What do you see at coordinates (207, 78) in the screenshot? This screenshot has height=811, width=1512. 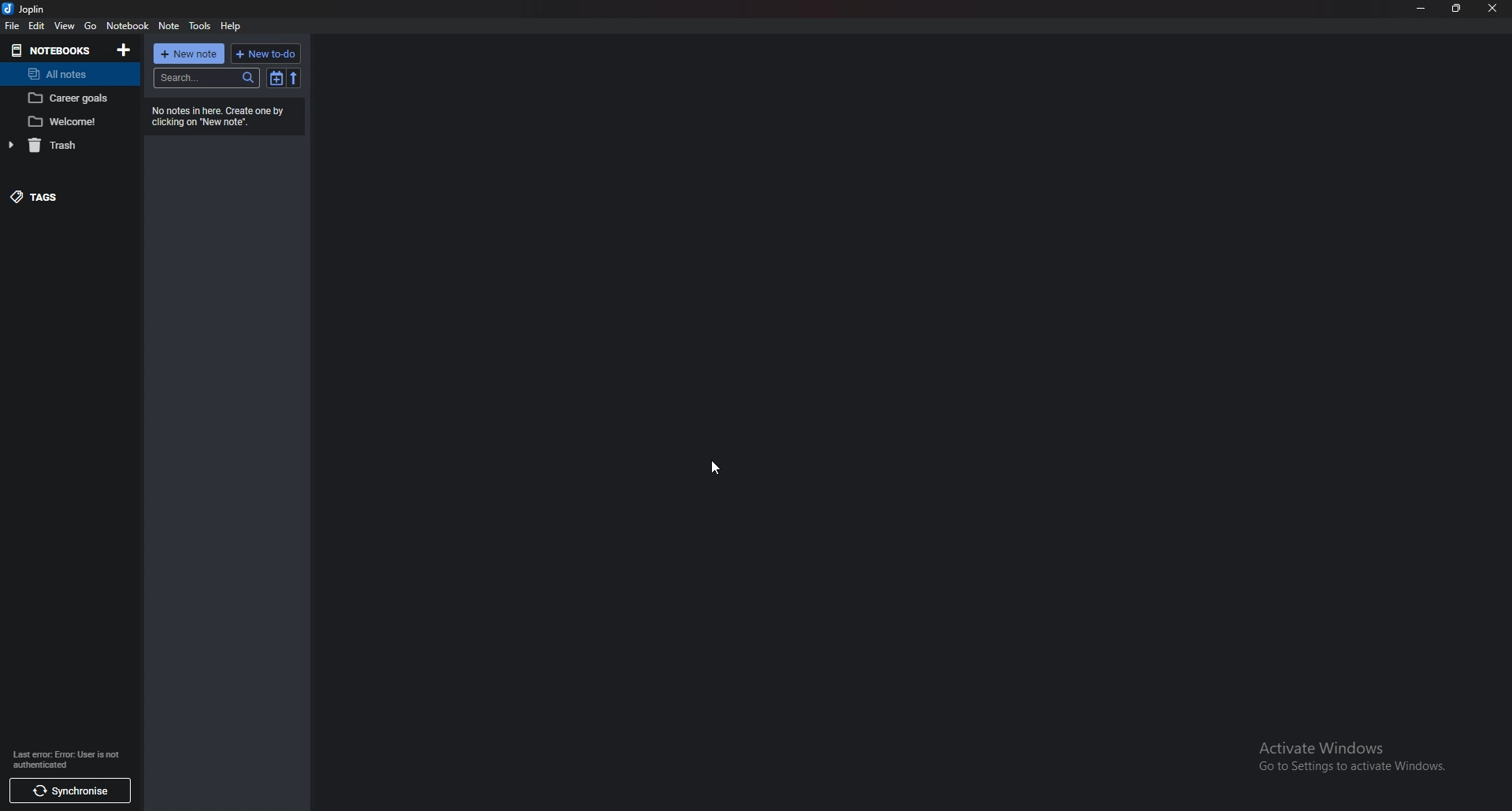 I see `Search` at bounding box center [207, 78].